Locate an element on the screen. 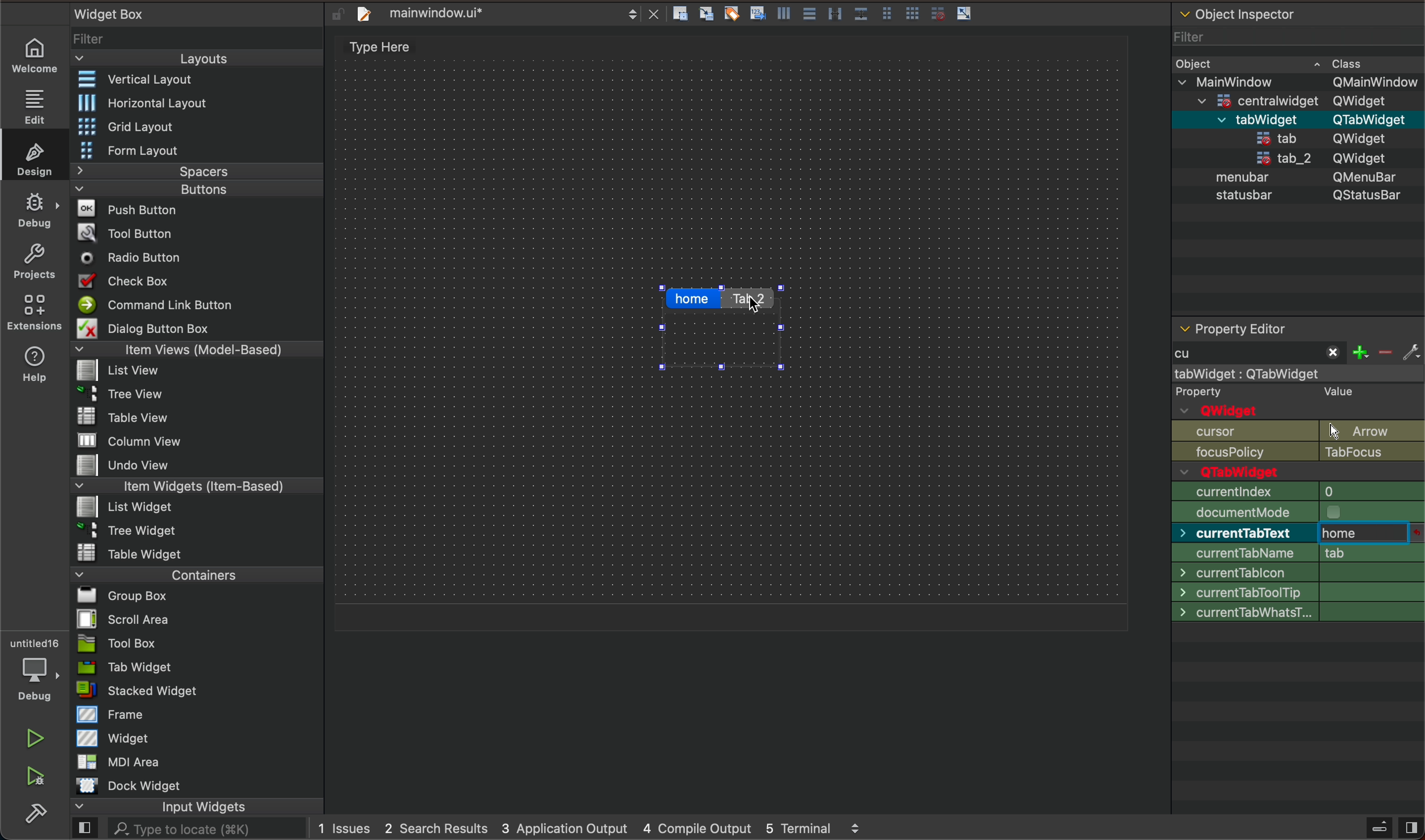 The height and width of the screenshot is (840, 1425). QStatusBar is located at coordinates (1356, 195).